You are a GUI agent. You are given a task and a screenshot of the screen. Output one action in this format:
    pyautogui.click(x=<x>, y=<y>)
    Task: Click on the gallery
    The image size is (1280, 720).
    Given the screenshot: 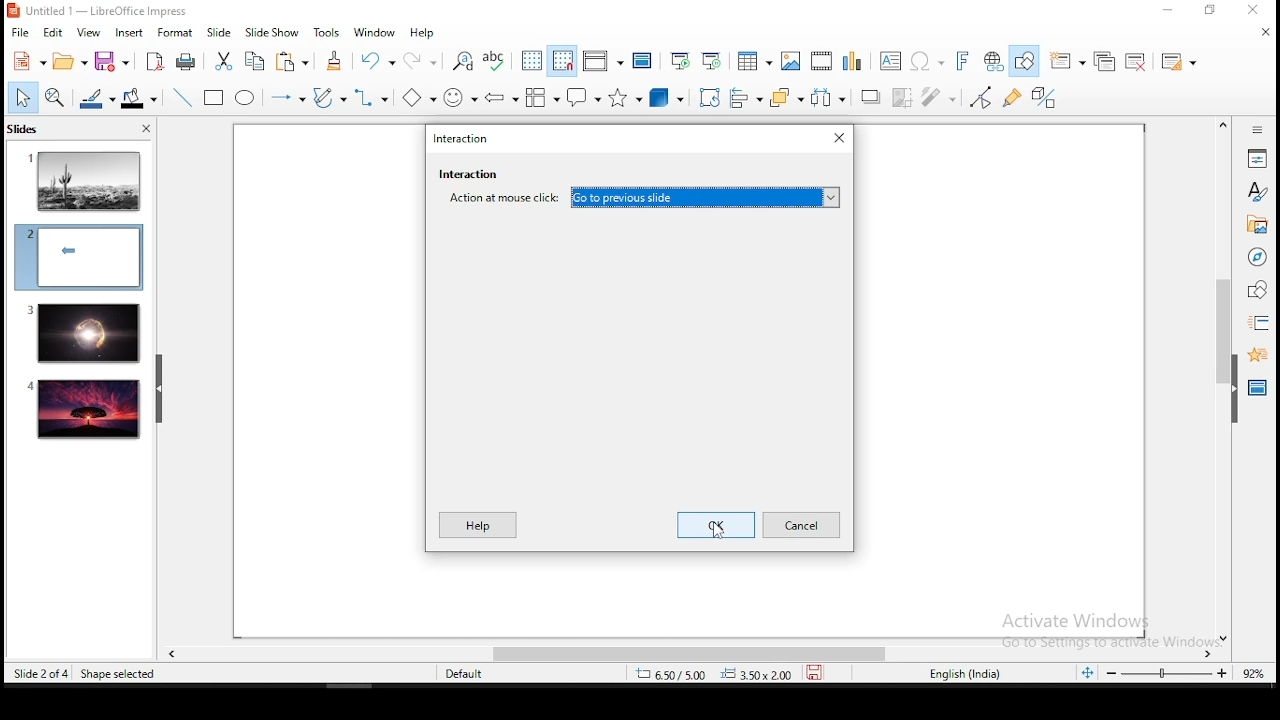 What is the action you would take?
    pyautogui.click(x=1257, y=227)
    